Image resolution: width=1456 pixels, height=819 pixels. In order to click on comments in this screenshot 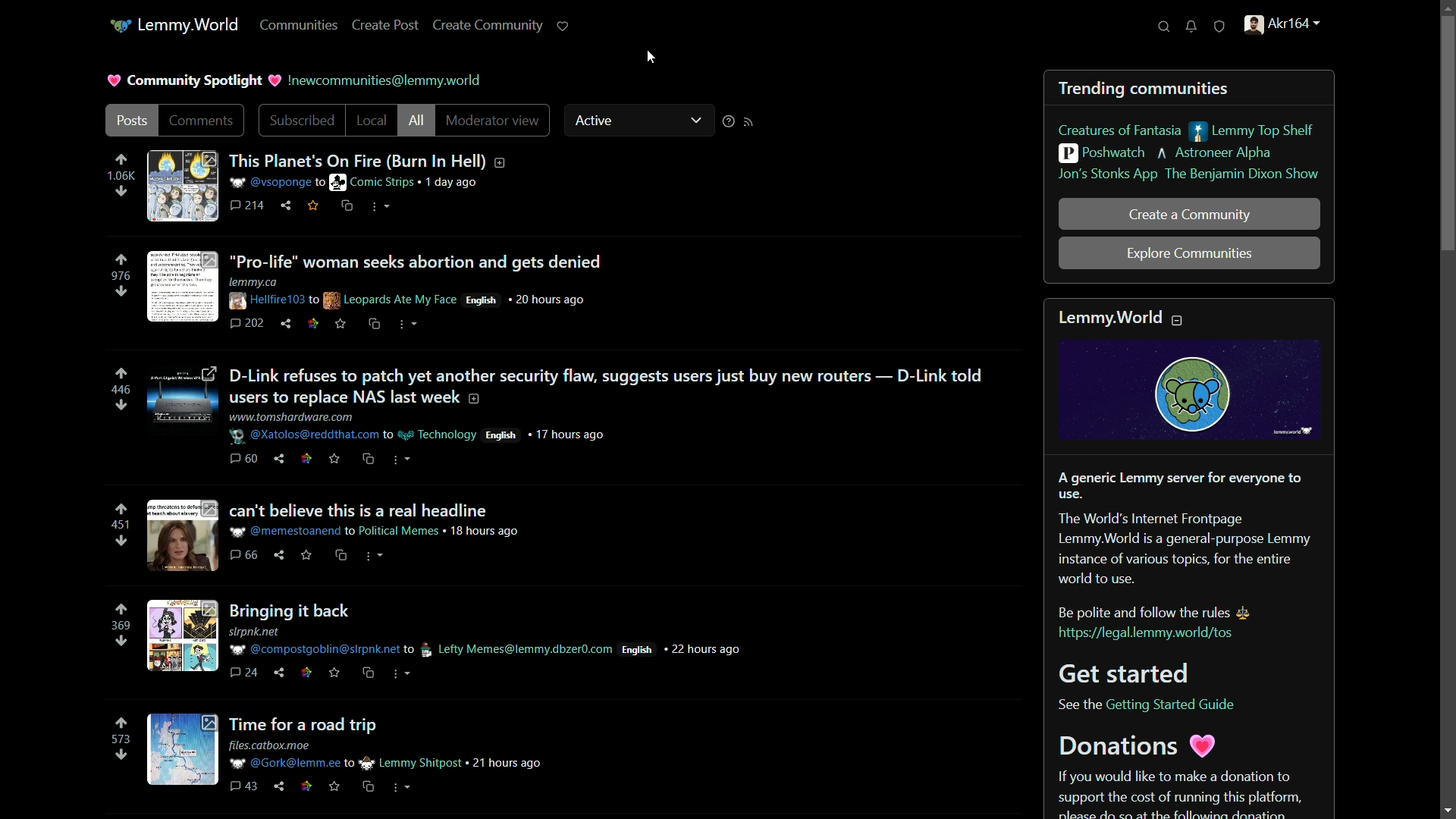, I will do `click(201, 119)`.